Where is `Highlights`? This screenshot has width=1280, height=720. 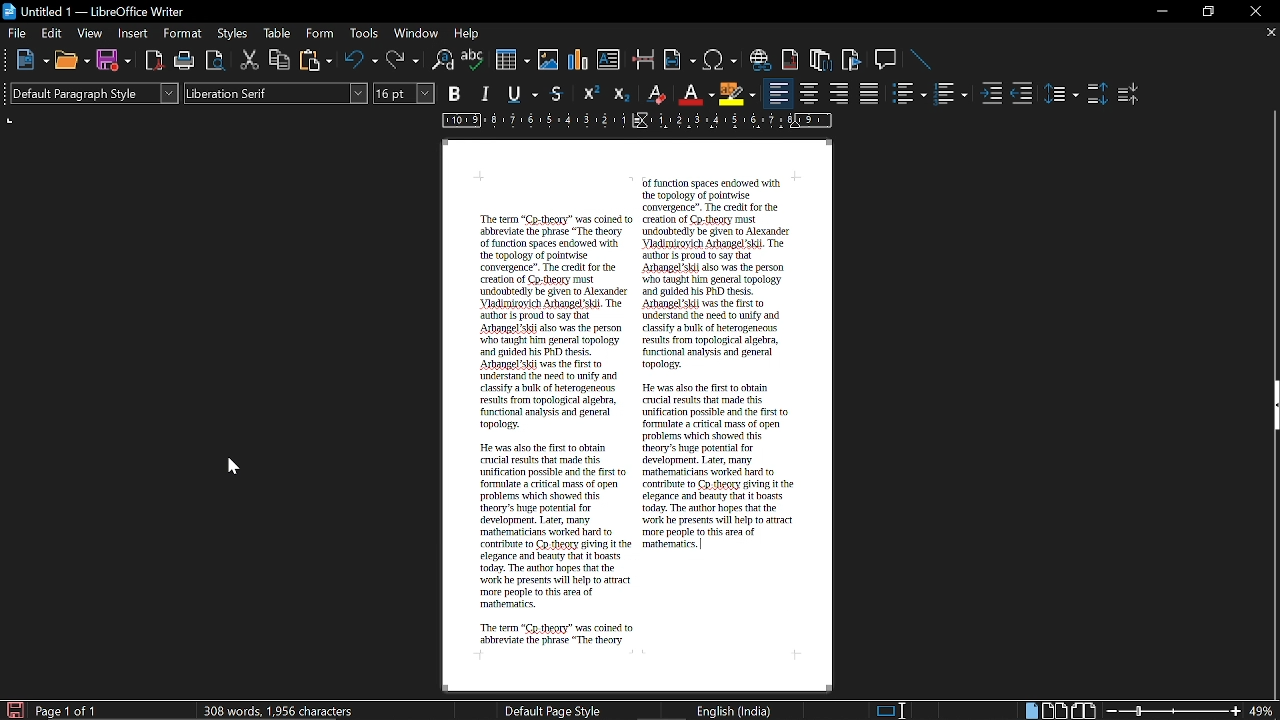
Highlights is located at coordinates (738, 94).